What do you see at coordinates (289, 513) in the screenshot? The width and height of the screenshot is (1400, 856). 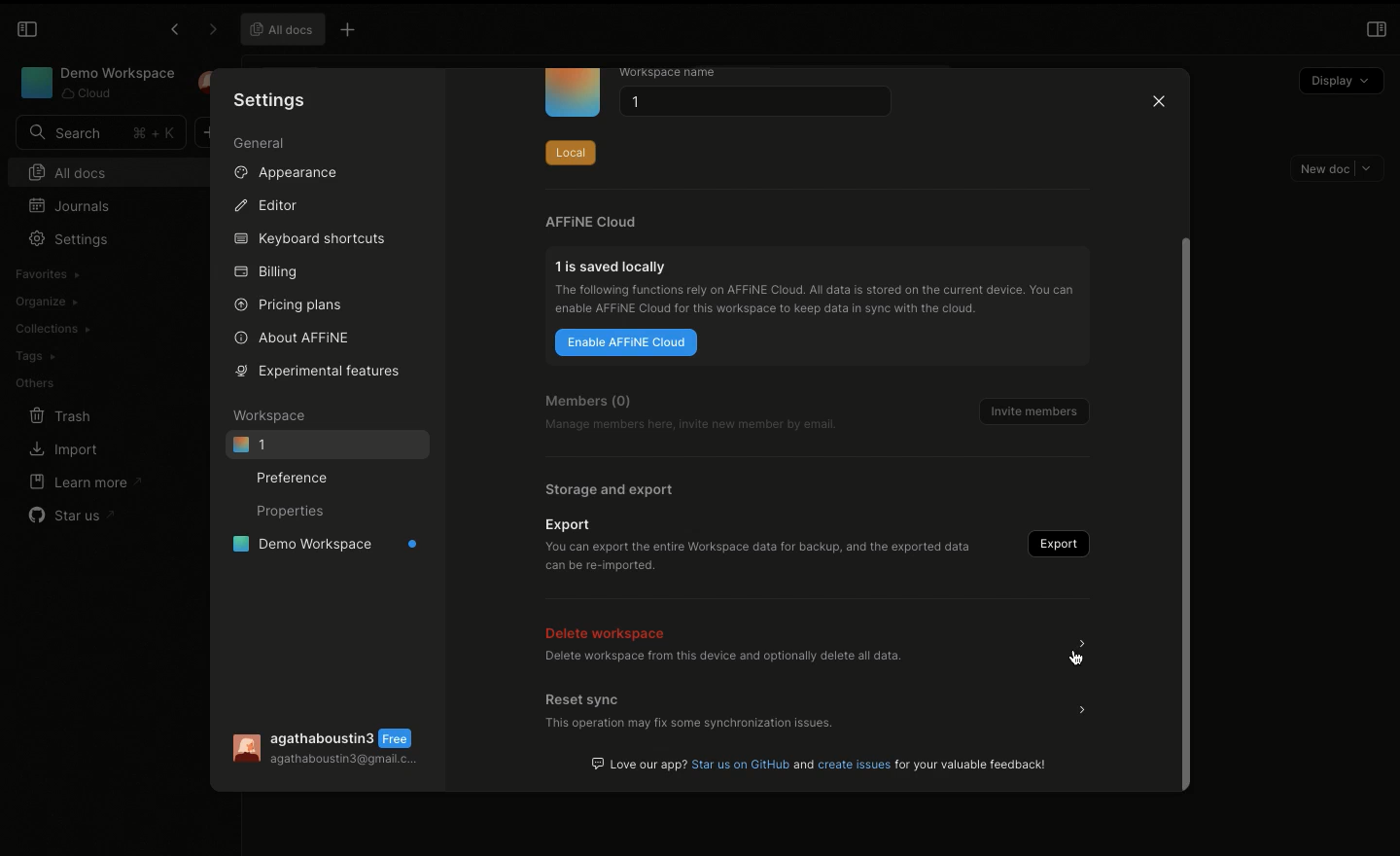 I see `Properties` at bounding box center [289, 513].